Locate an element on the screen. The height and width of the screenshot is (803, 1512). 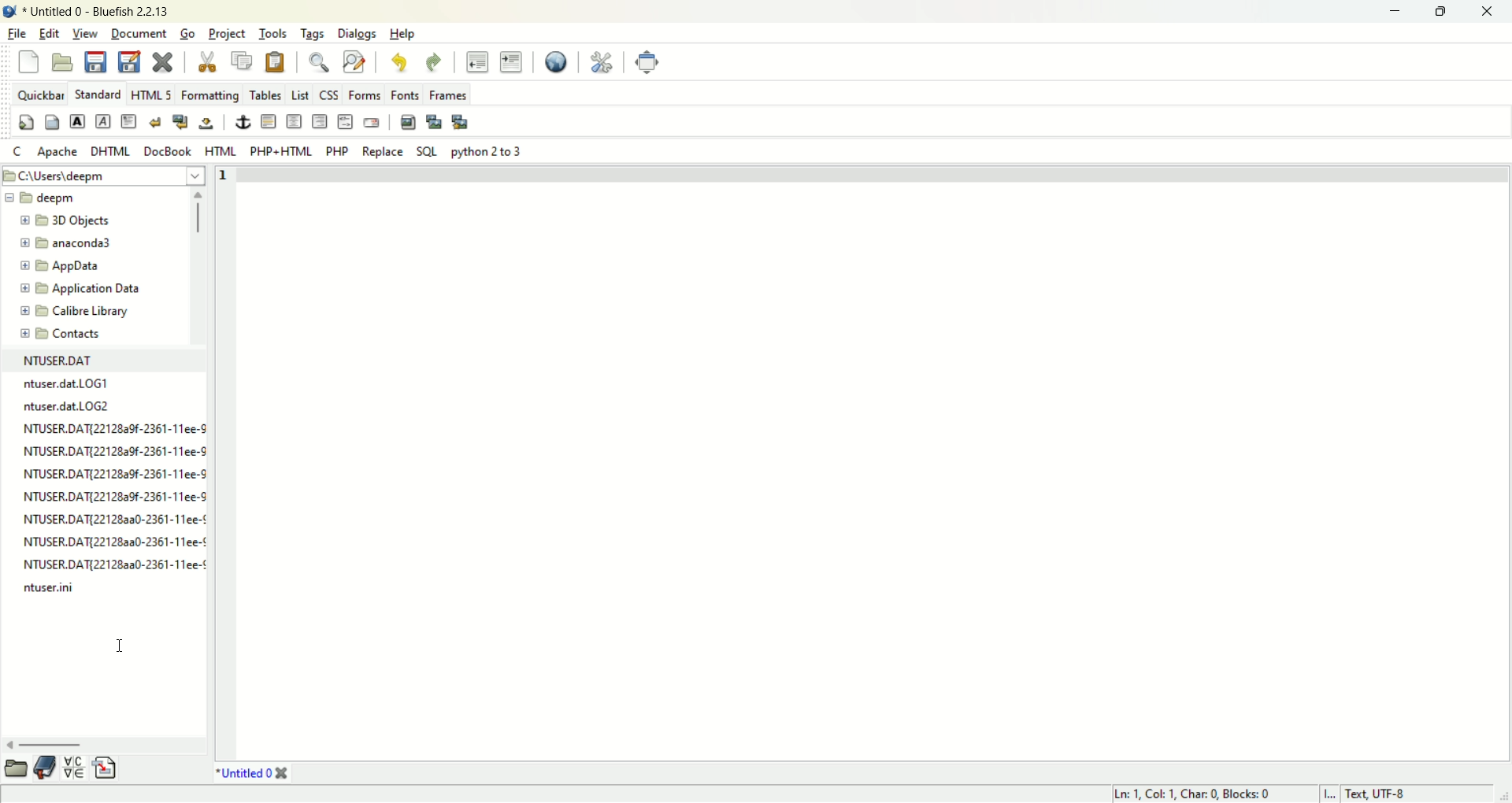
HTML is located at coordinates (221, 150).